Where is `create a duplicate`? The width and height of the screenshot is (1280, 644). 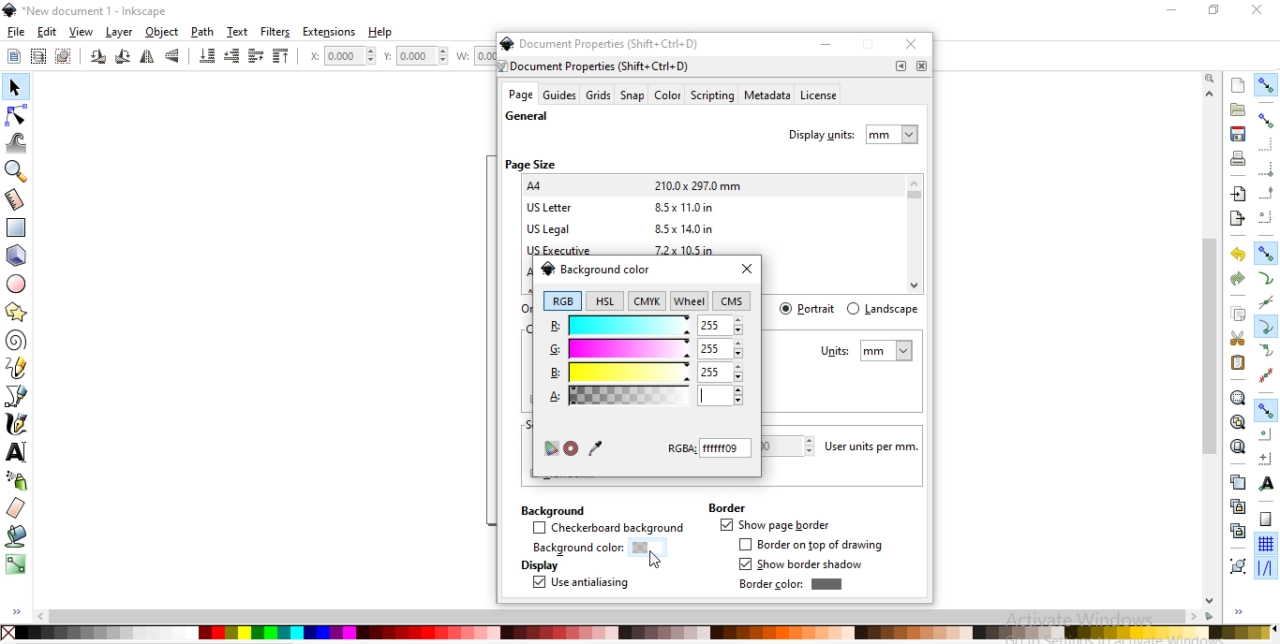
create a duplicate is located at coordinates (1238, 483).